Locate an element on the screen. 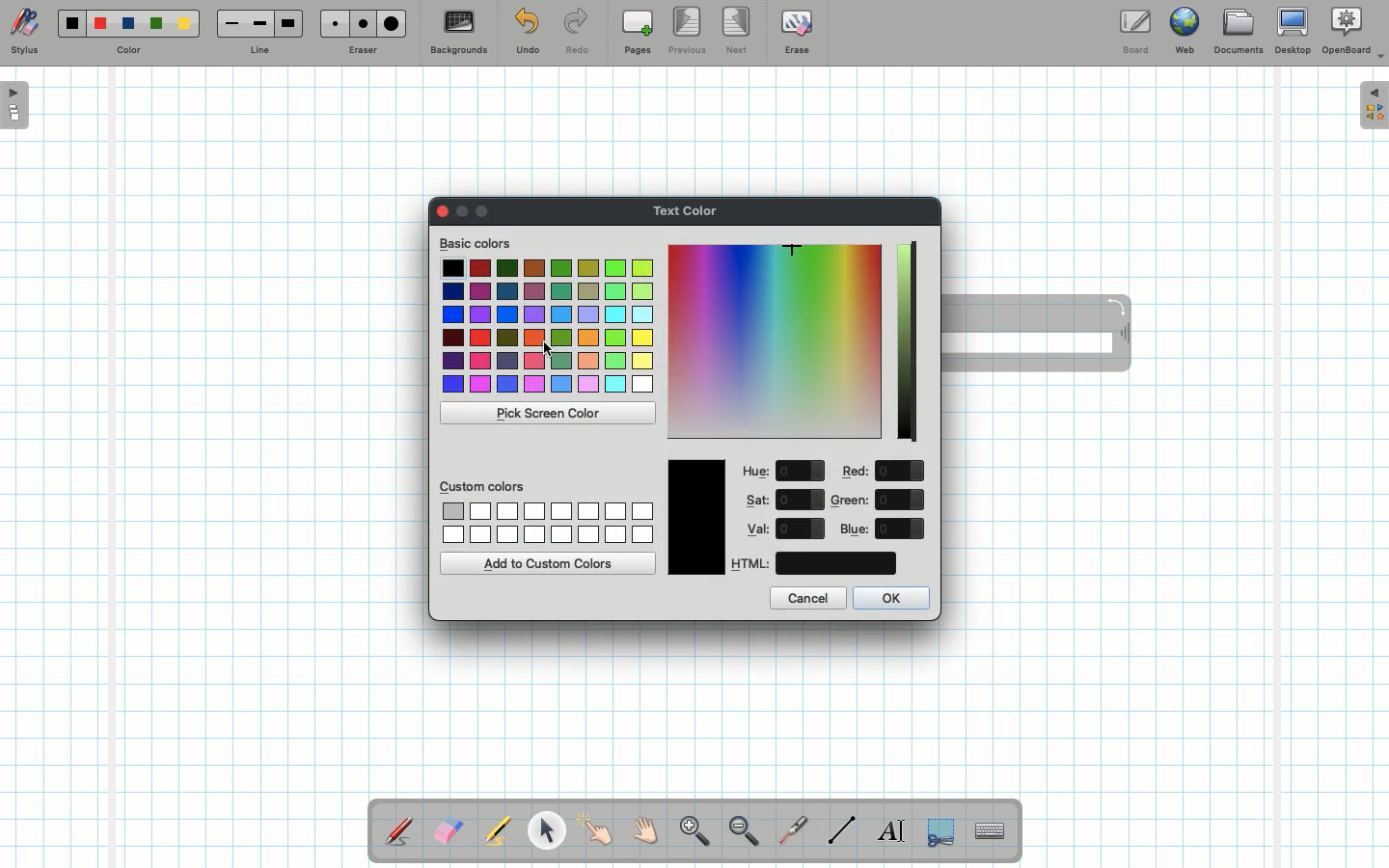 The image size is (1389, 868). Redo is located at coordinates (577, 35).